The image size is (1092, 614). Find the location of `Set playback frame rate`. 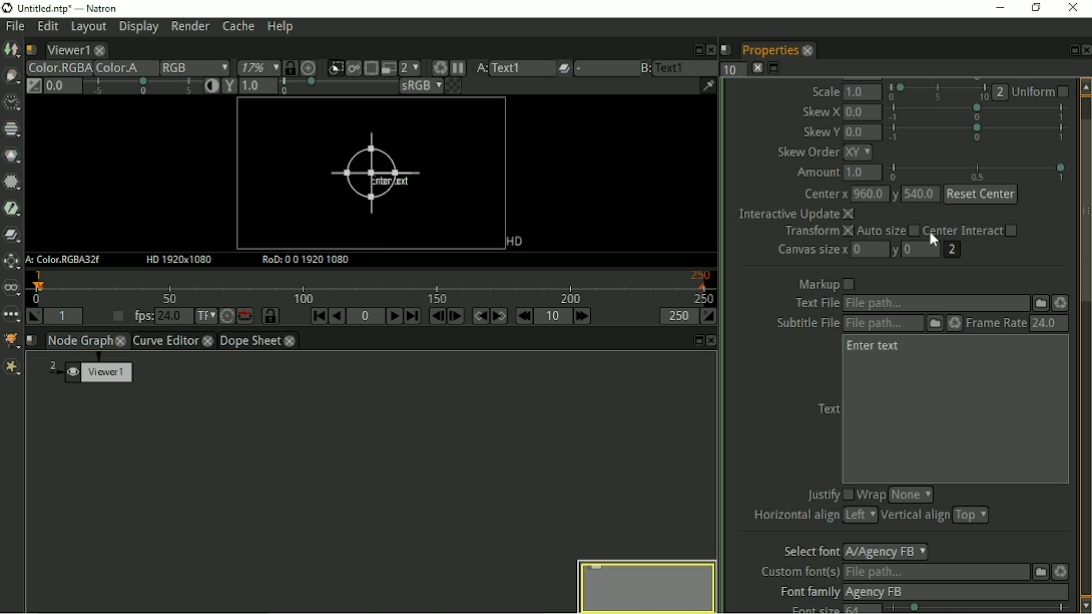

Set playback frame rate is located at coordinates (115, 317).